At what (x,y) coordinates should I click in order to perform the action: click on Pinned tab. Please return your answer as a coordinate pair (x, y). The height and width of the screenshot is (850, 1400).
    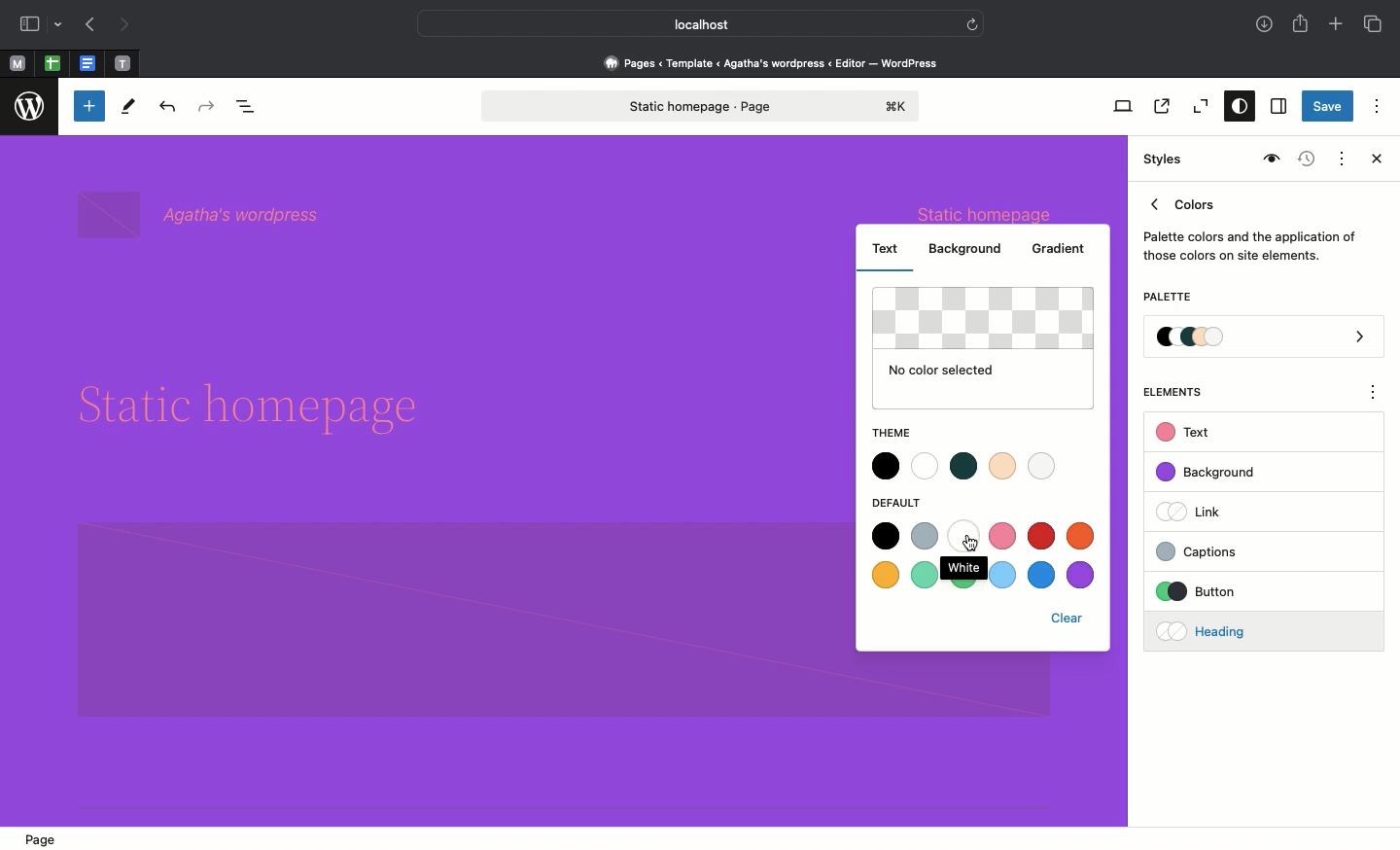
    Looking at the image, I should click on (52, 64).